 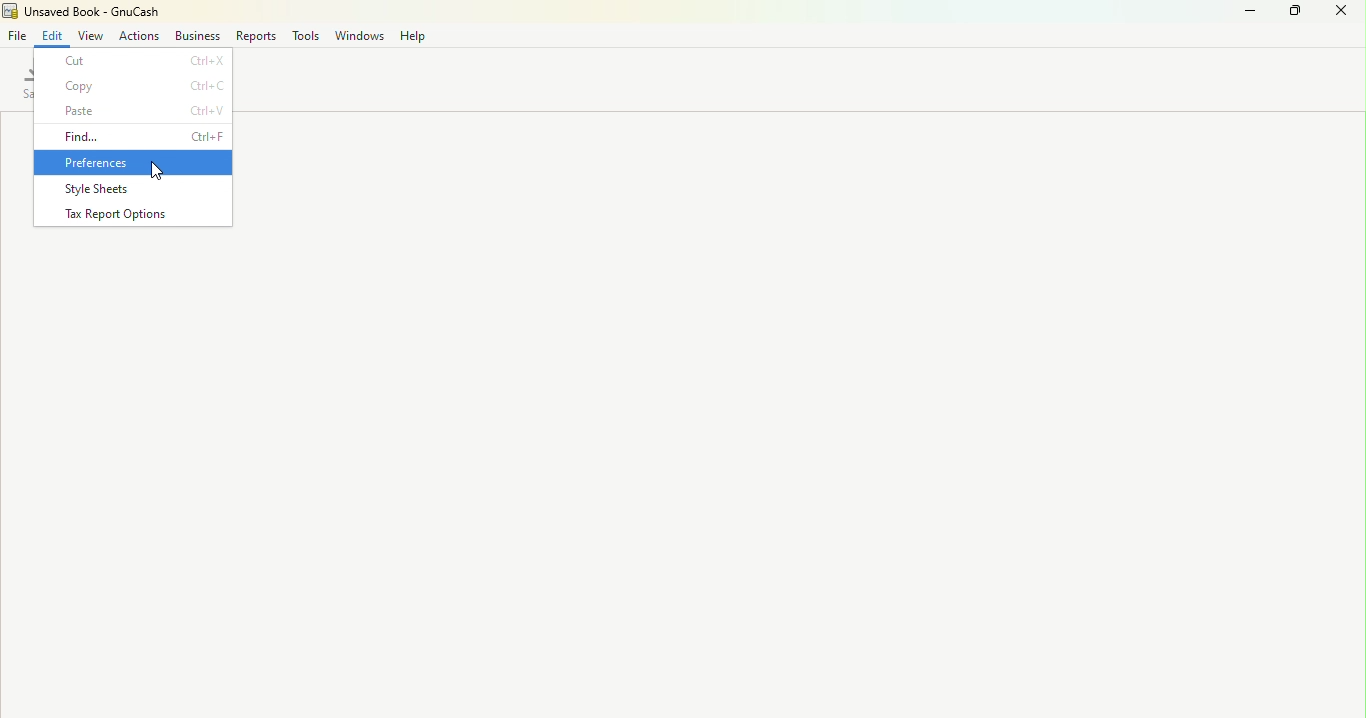 I want to click on Help, so click(x=413, y=38).